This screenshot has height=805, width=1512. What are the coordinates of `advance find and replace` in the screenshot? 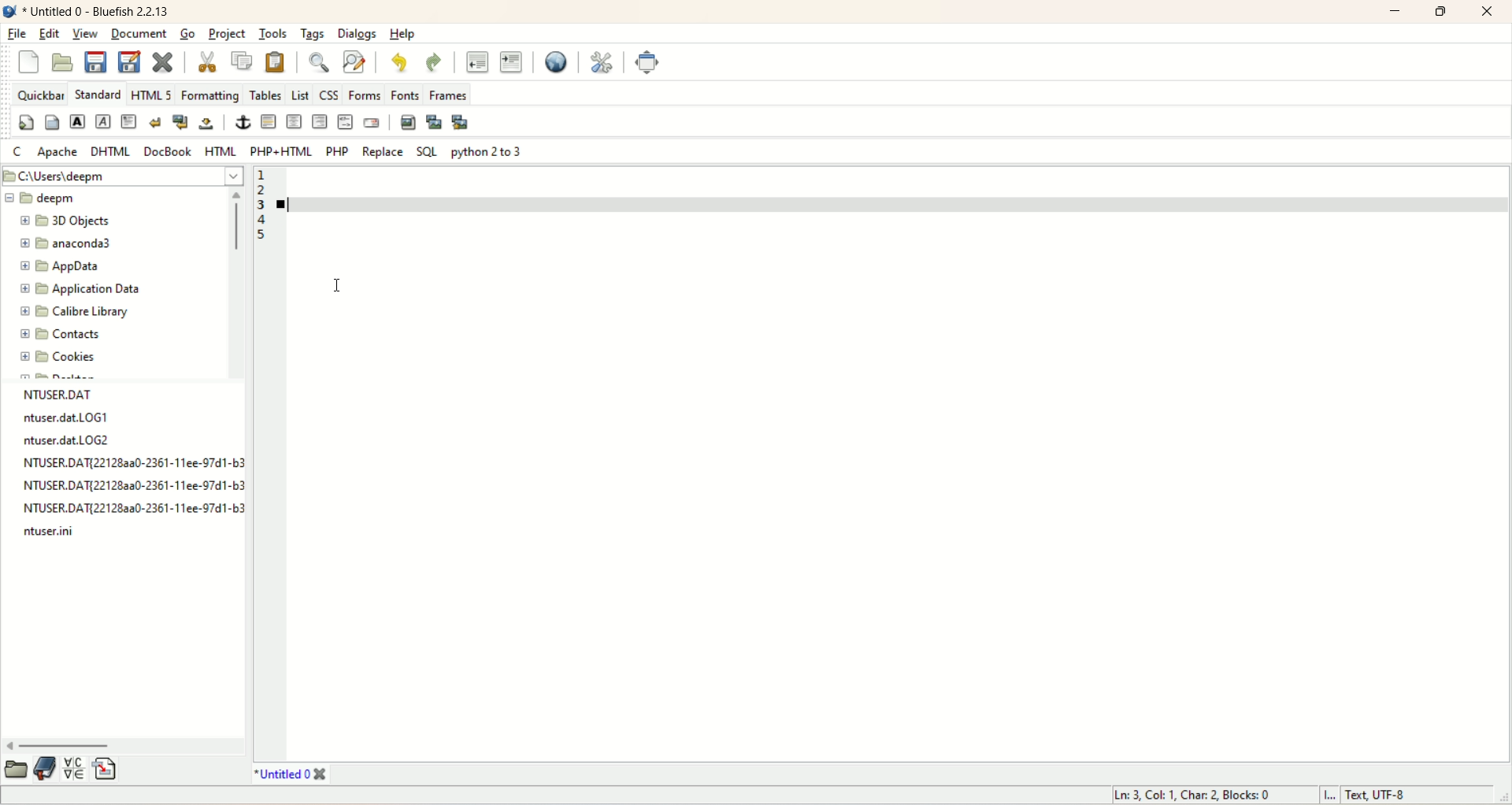 It's located at (352, 62).